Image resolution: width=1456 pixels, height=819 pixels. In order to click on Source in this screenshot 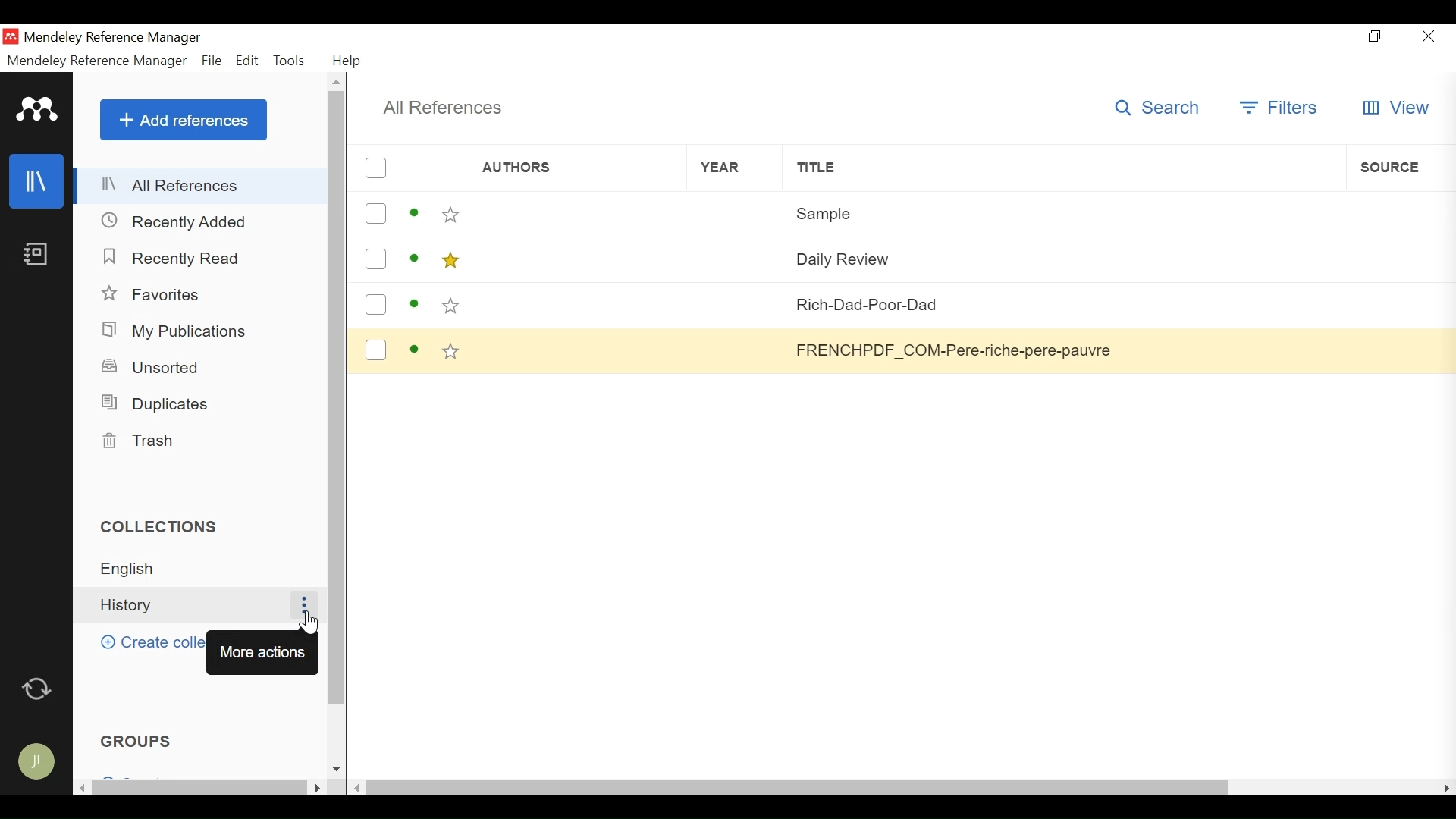, I will do `click(1400, 211)`.